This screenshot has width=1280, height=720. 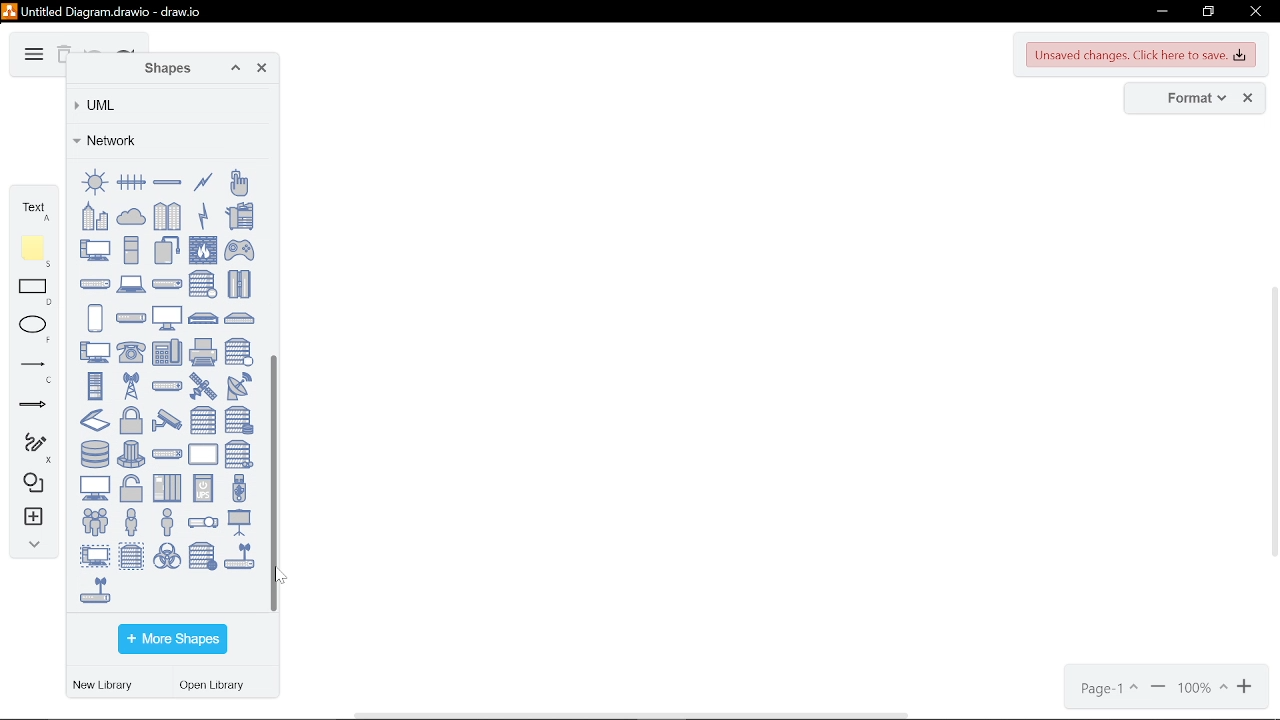 I want to click on close, so click(x=1254, y=13).